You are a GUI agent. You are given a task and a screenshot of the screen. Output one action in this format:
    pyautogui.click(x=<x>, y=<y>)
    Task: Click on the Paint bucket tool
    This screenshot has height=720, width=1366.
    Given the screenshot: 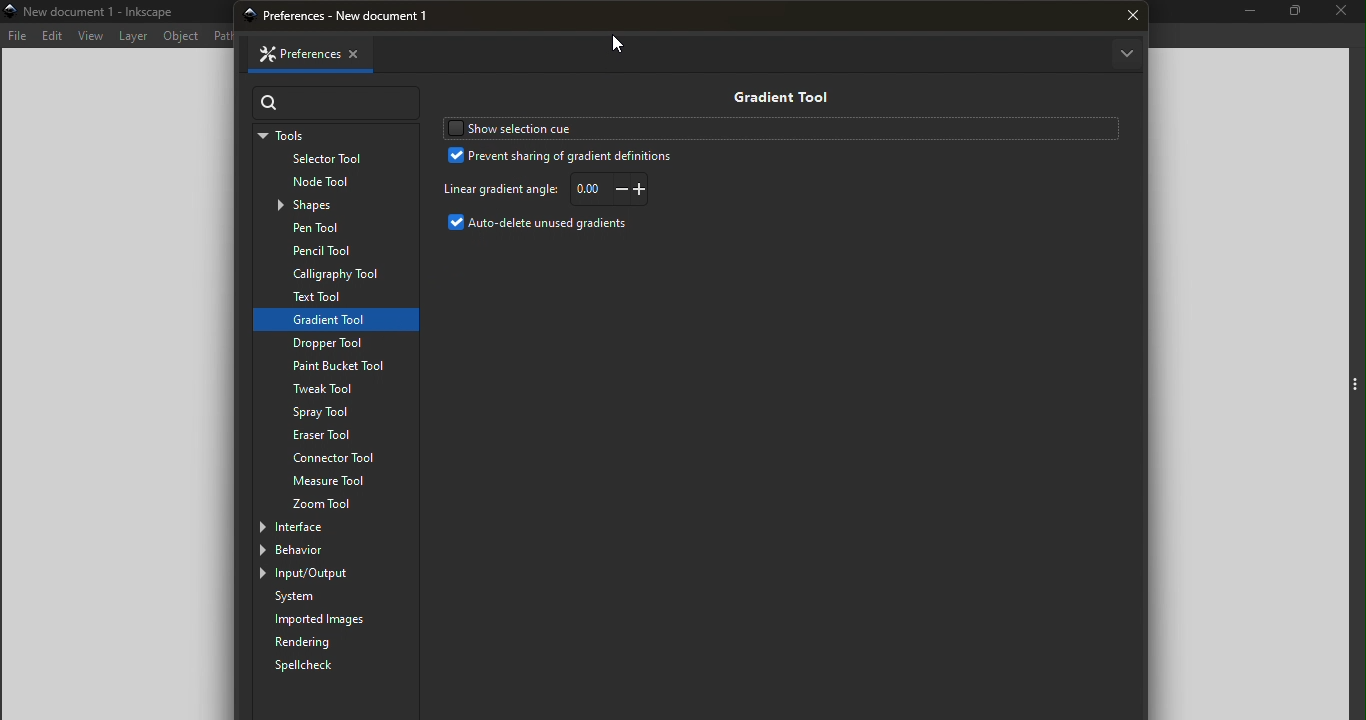 What is the action you would take?
    pyautogui.click(x=329, y=366)
    